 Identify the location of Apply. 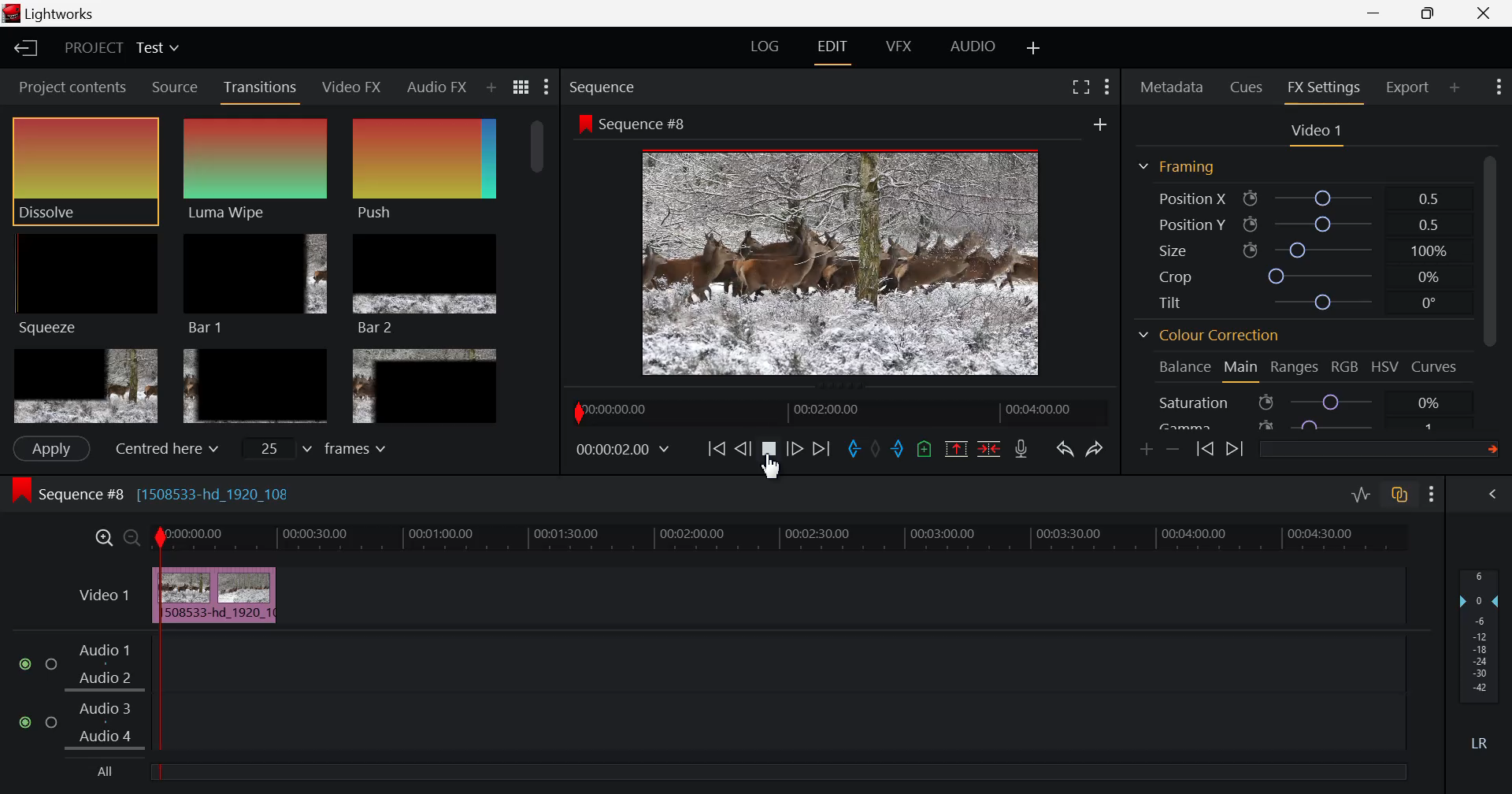
(50, 448).